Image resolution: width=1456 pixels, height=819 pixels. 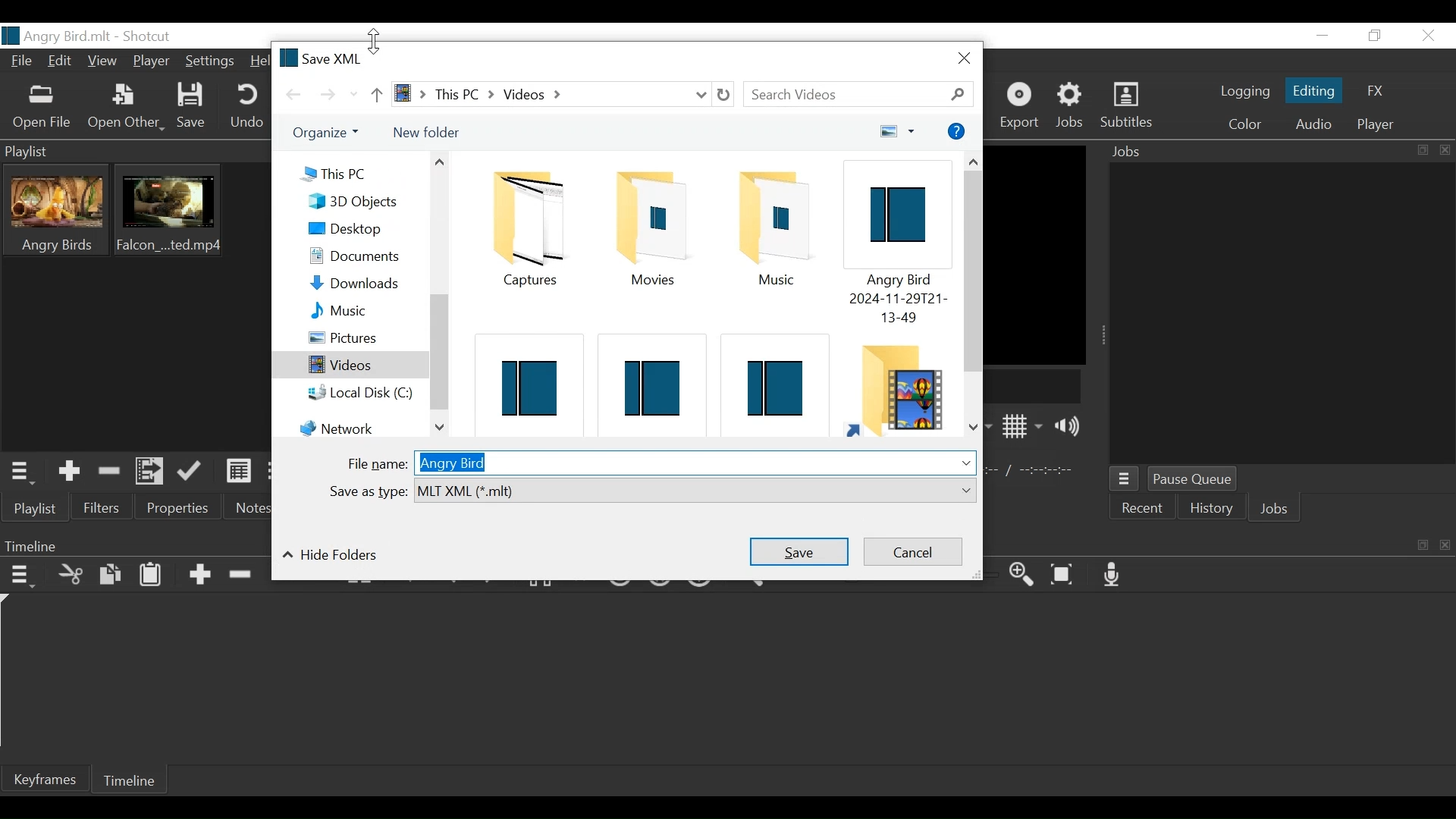 What do you see at coordinates (363, 337) in the screenshot?
I see `Pictures` at bounding box center [363, 337].